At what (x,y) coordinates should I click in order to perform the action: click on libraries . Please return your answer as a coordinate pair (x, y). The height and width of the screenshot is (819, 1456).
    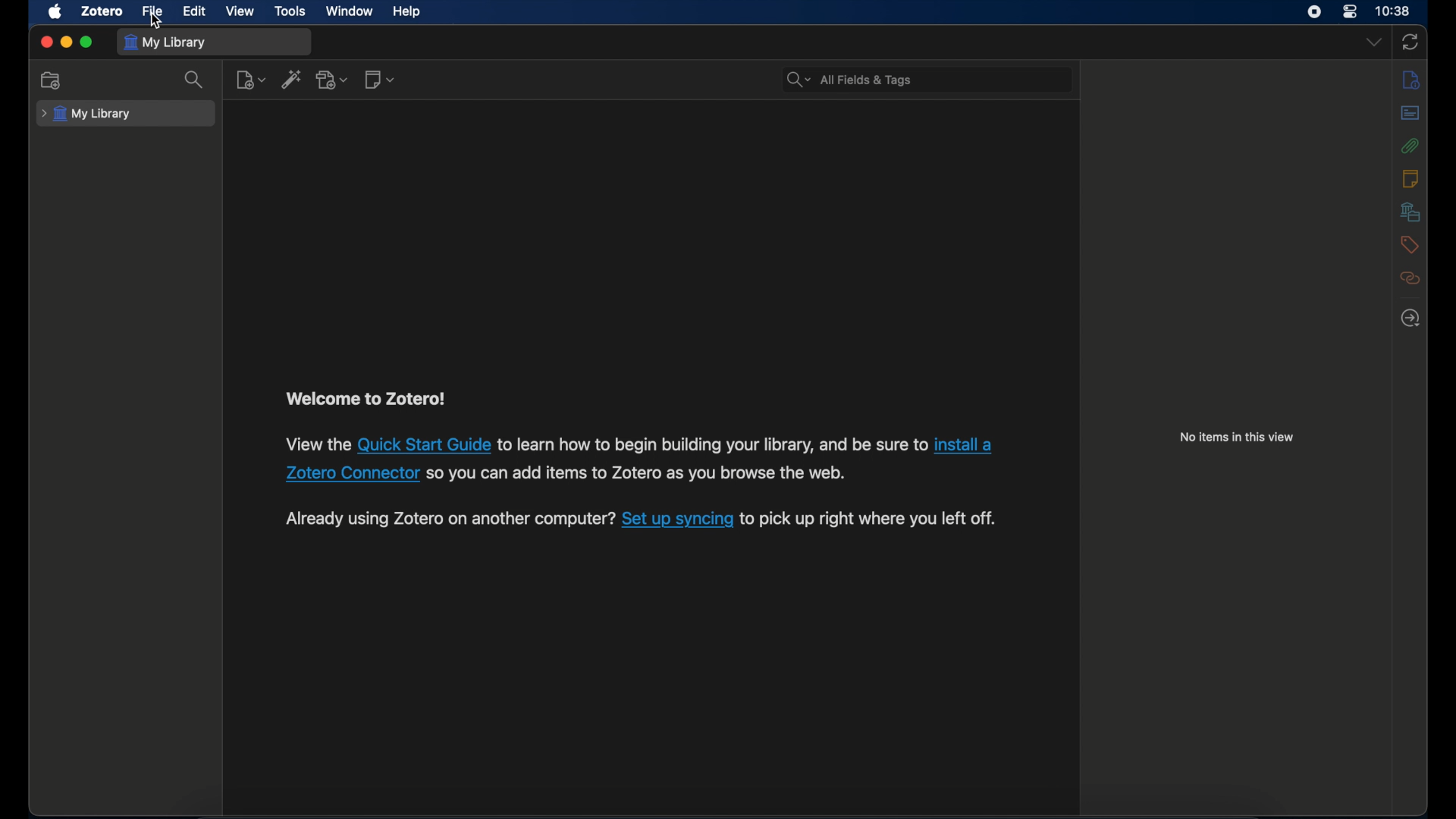
    Looking at the image, I should click on (1410, 212).